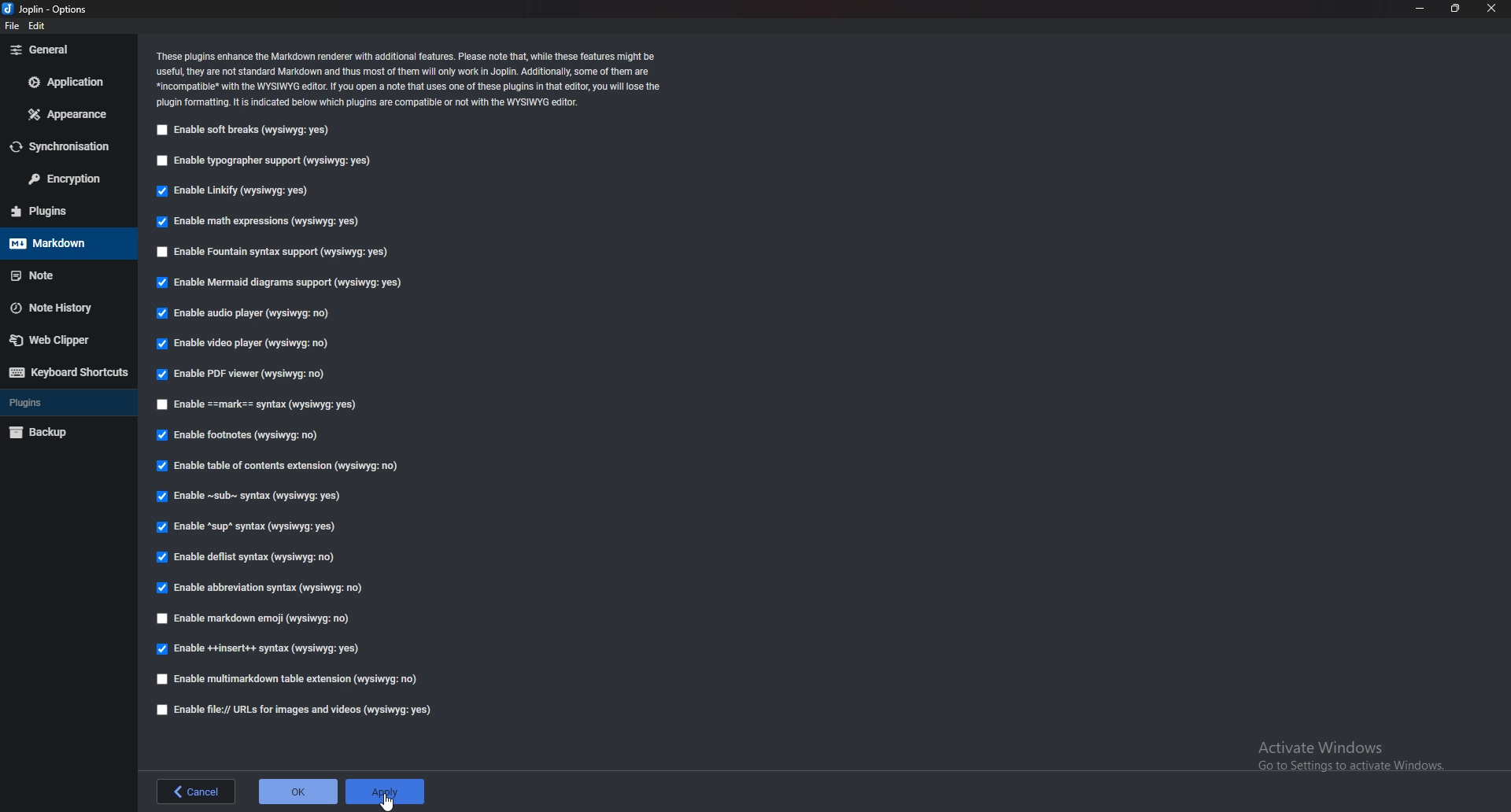 The image size is (1511, 812). What do you see at coordinates (243, 343) in the screenshot?
I see `Enable video player` at bounding box center [243, 343].